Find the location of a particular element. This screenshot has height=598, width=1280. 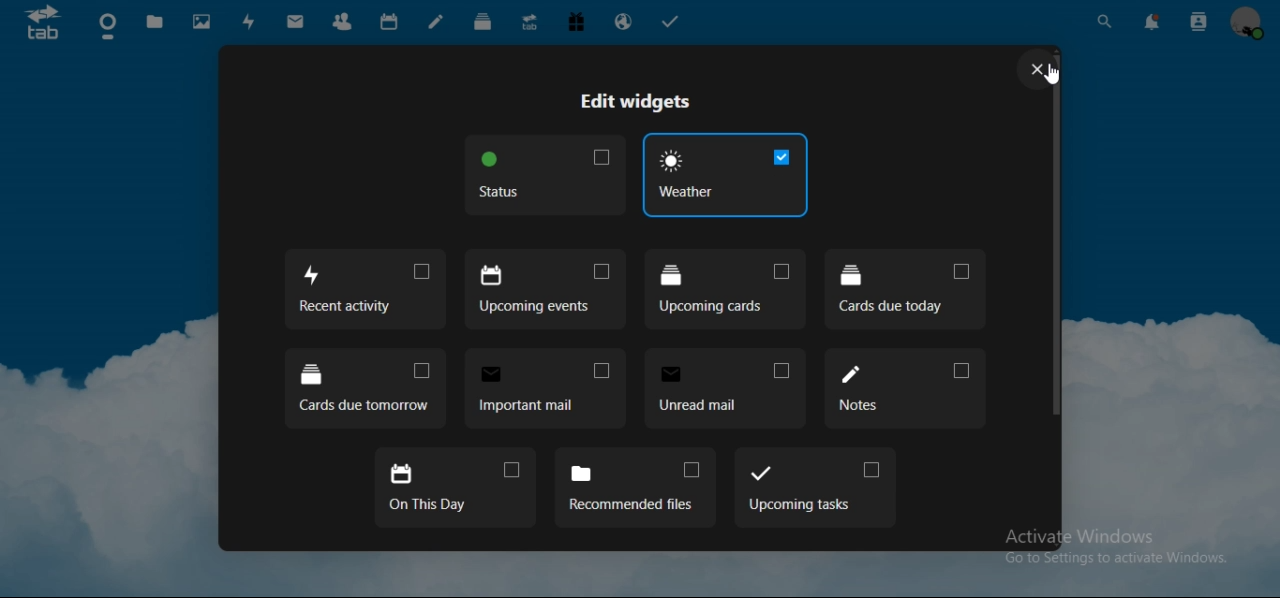

dashboard is located at coordinates (110, 27).